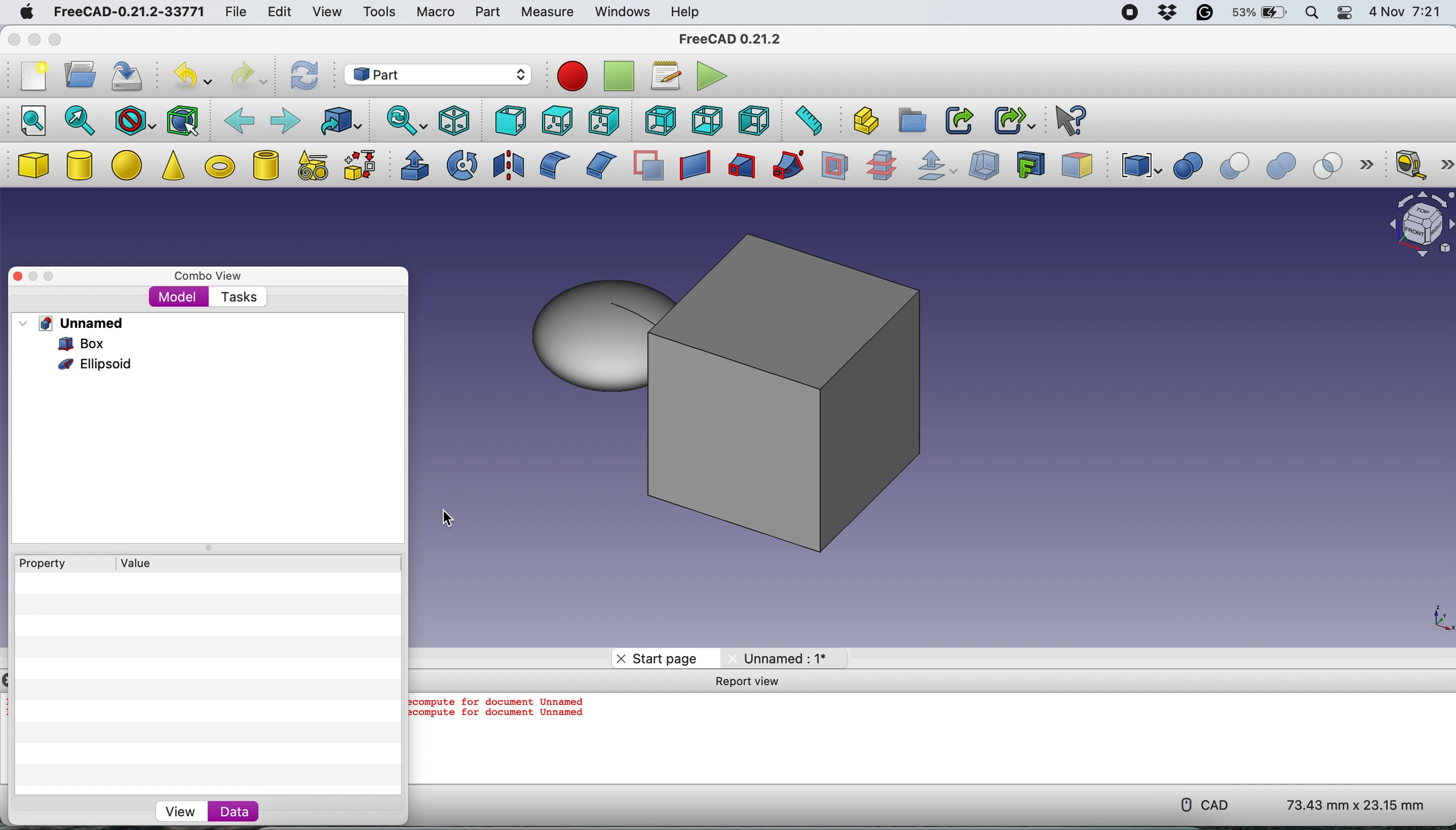  I want to click on combo view, so click(204, 272).